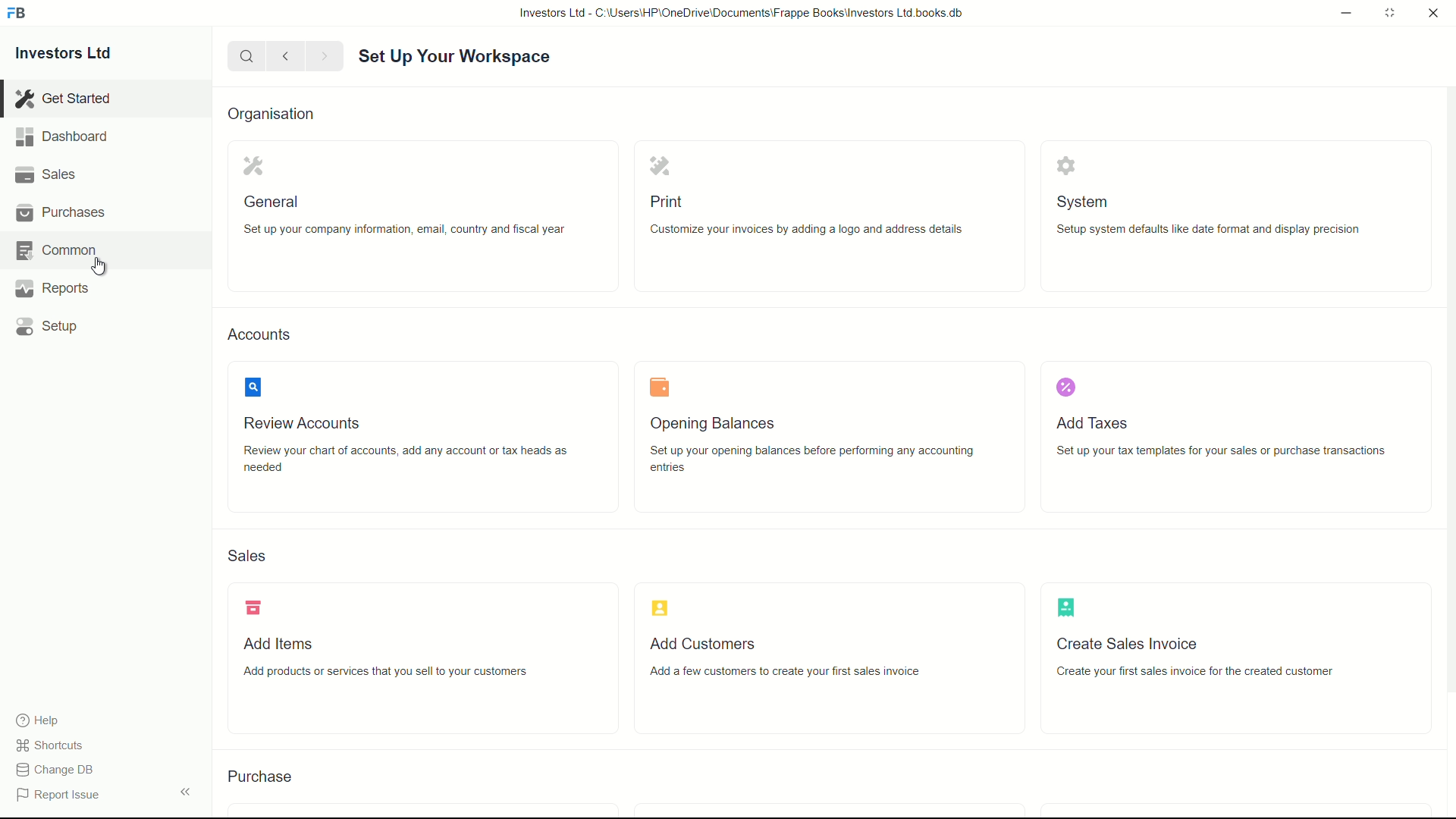  Describe the element at coordinates (245, 55) in the screenshot. I see `search` at that location.